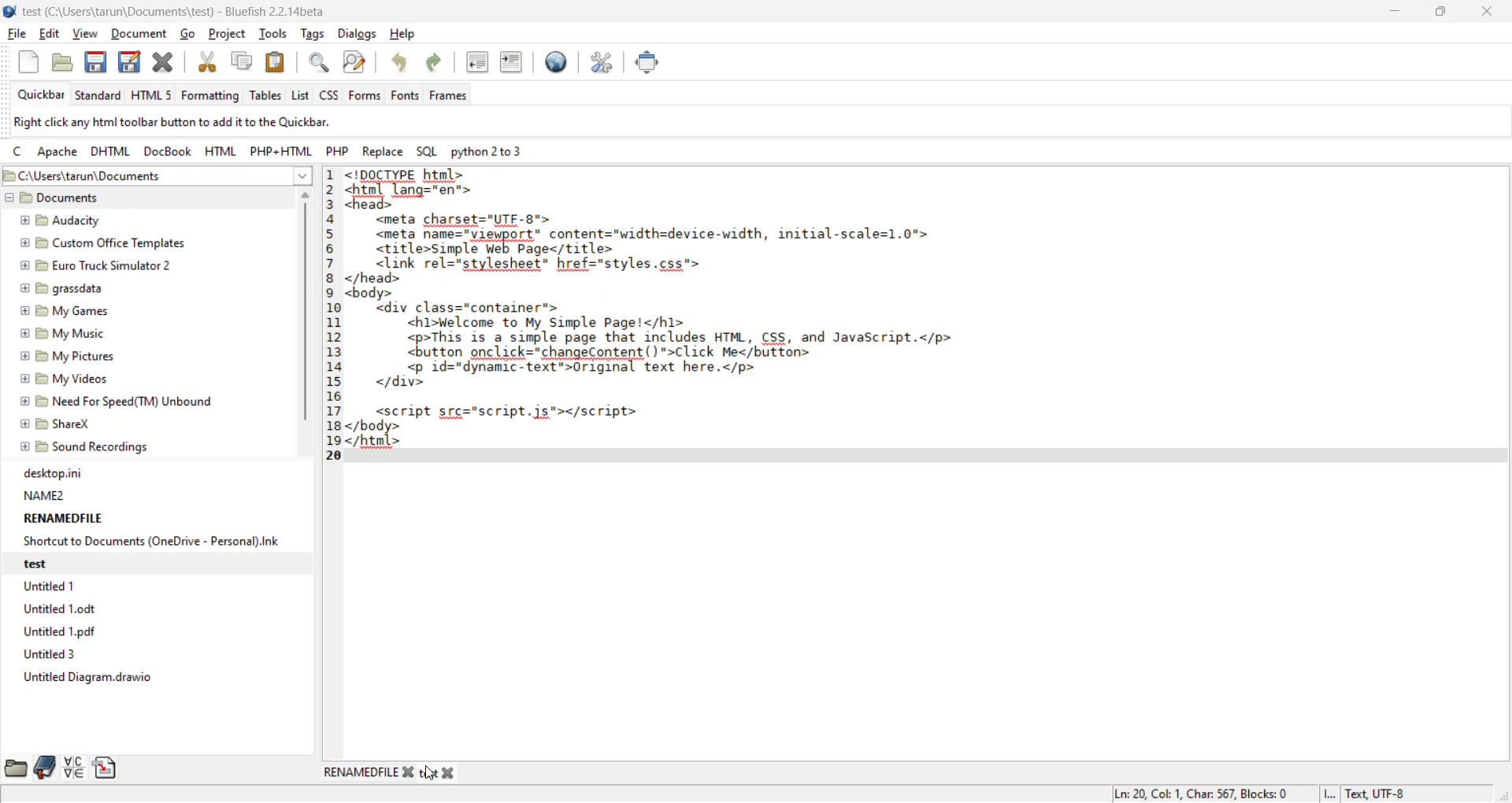 Image resolution: width=1512 pixels, height=803 pixels. What do you see at coordinates (212, 94) in the screenshot?
I see `formatting` at bounding box center [212, 94].